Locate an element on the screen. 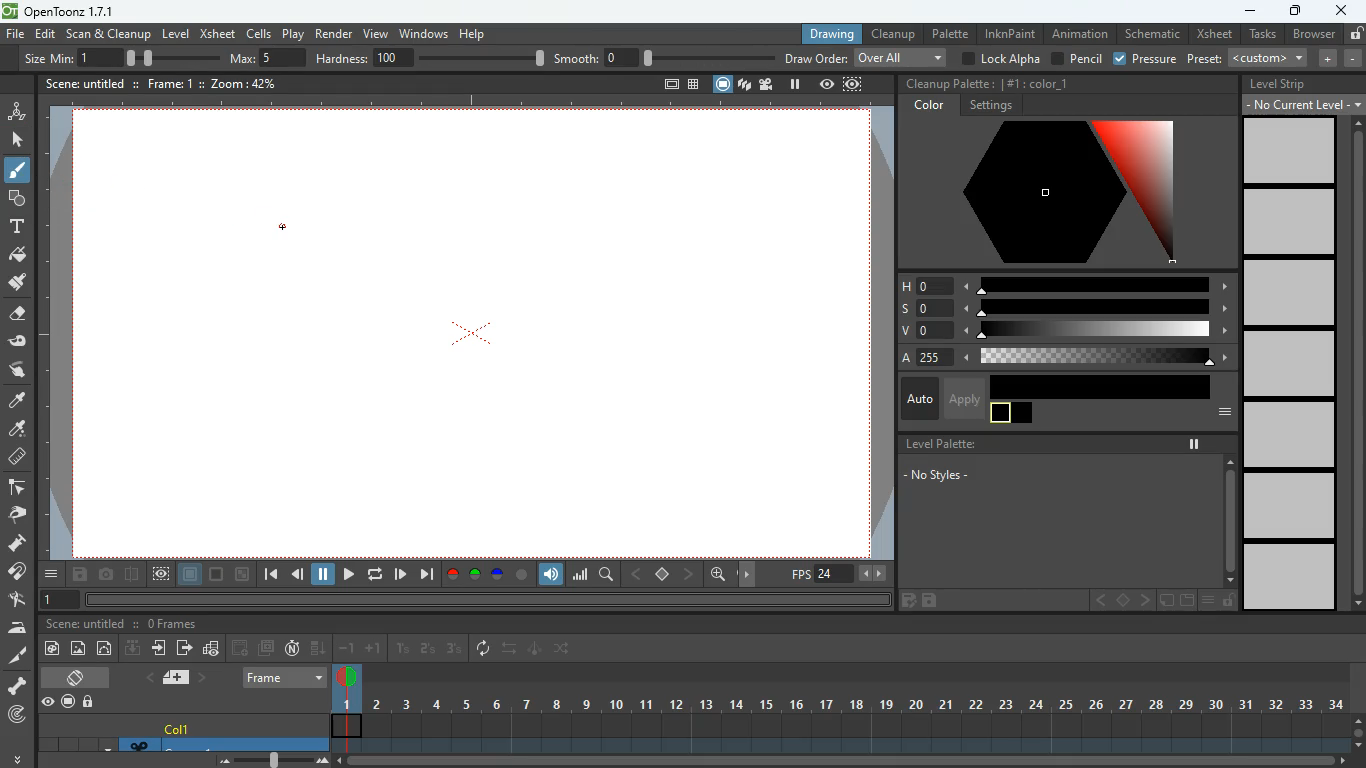 This screenshot has height=768, width=1366. click is located at coordinates (19, 140).